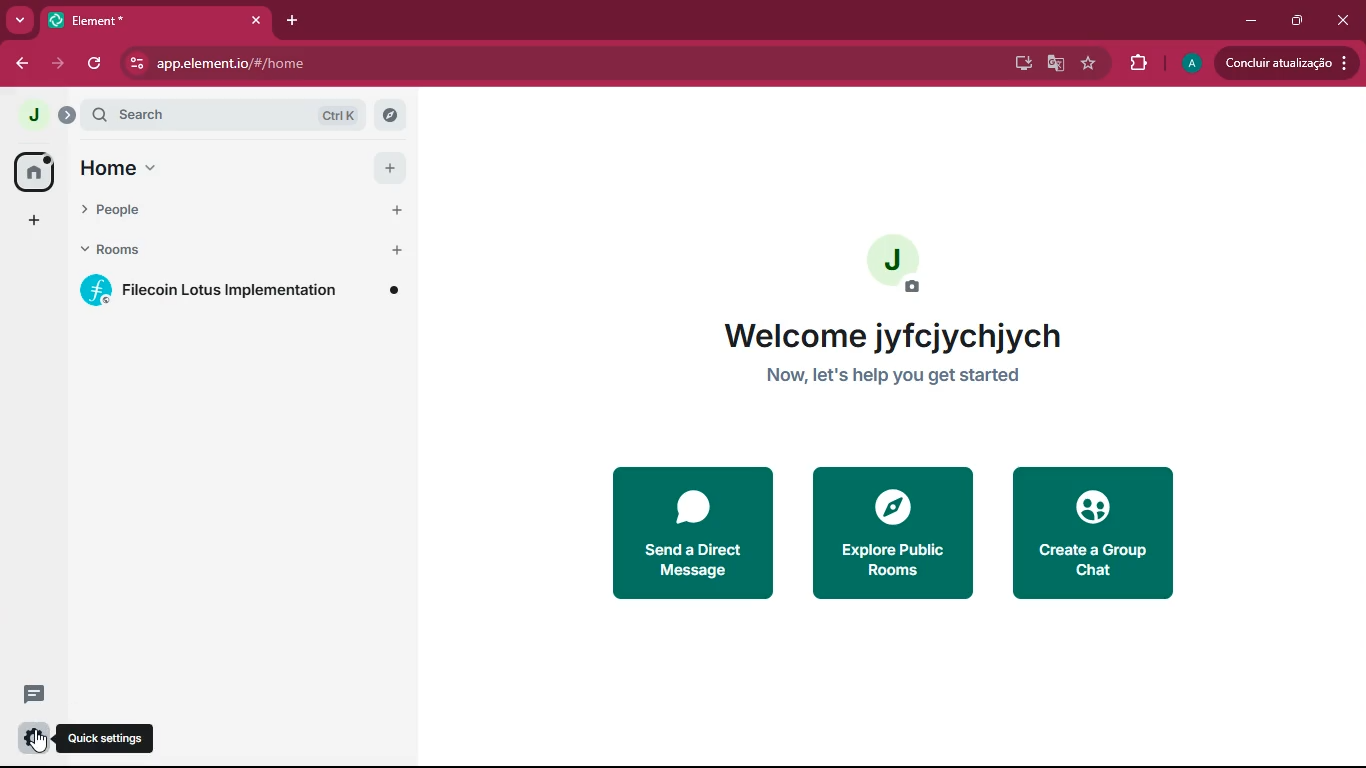  Describe the element at coordinates (1137, 61) in the screenshot. I see `extensions` at that location.